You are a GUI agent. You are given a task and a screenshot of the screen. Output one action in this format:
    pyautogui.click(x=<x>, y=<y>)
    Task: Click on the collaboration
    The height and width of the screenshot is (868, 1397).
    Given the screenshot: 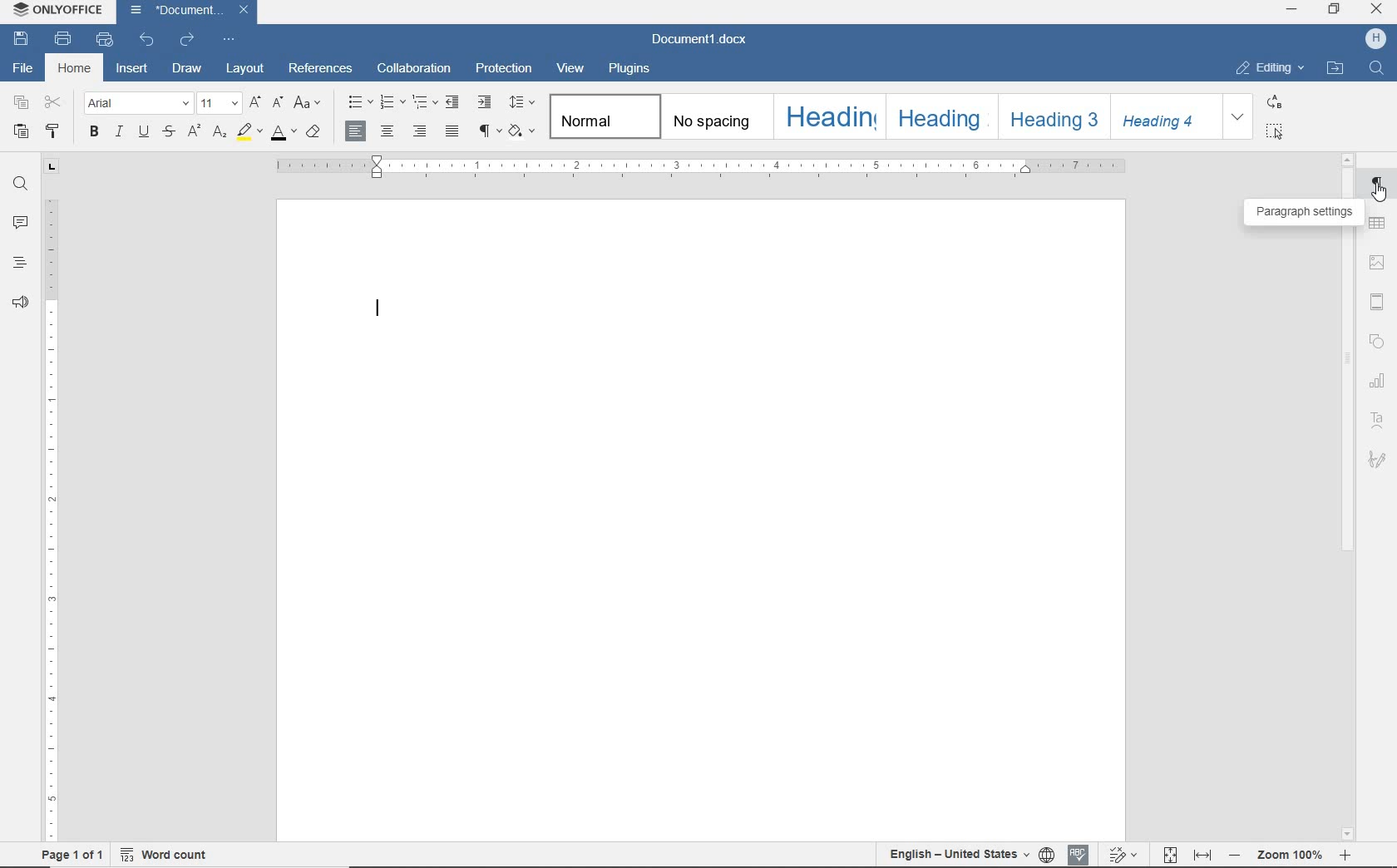 What is the action you would take?
    pyautogui.click(x=417, y=69)
    